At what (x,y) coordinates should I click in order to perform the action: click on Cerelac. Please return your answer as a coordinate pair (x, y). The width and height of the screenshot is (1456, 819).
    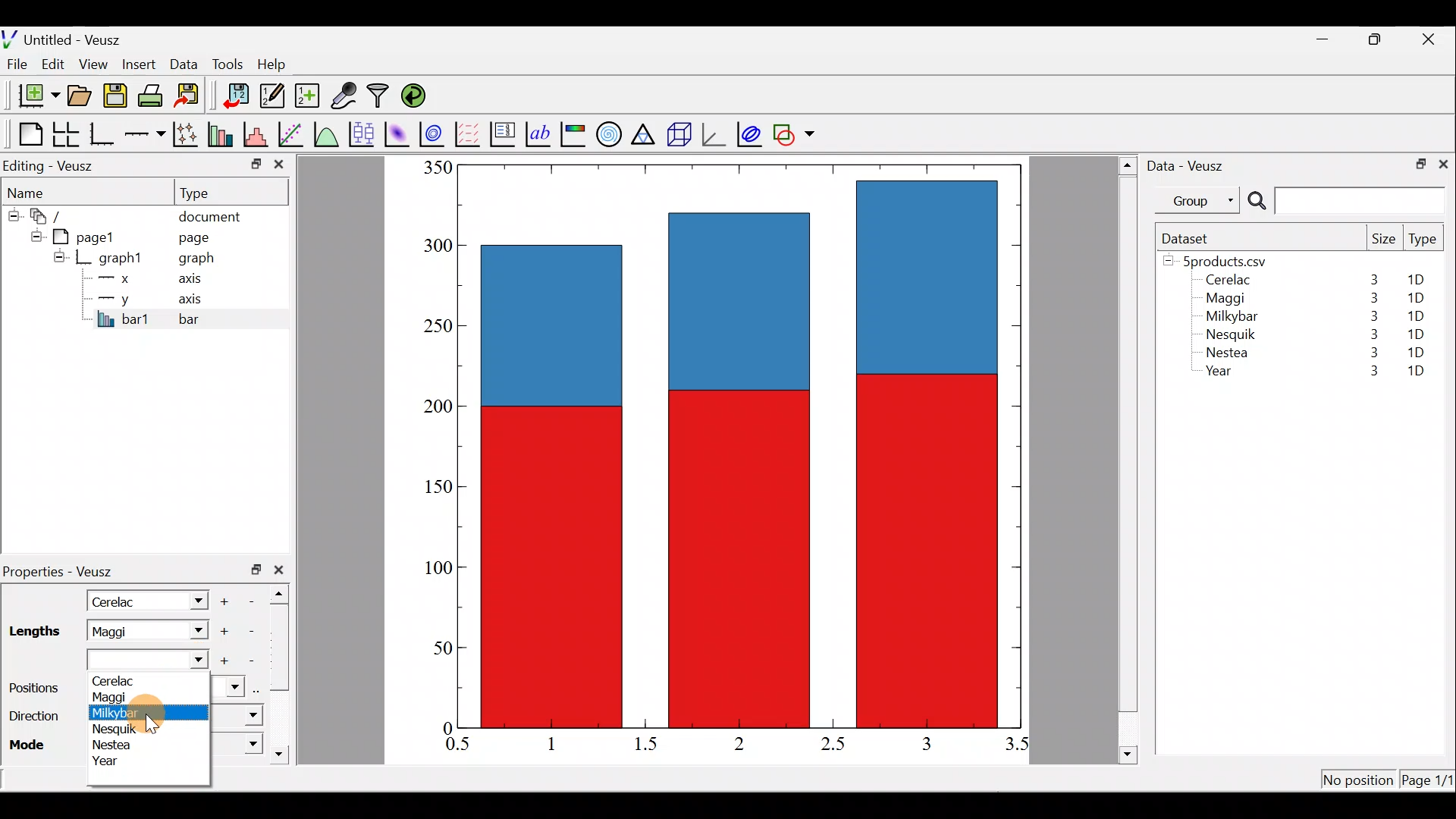
    Looking at the image, I should click on (1225, 281).